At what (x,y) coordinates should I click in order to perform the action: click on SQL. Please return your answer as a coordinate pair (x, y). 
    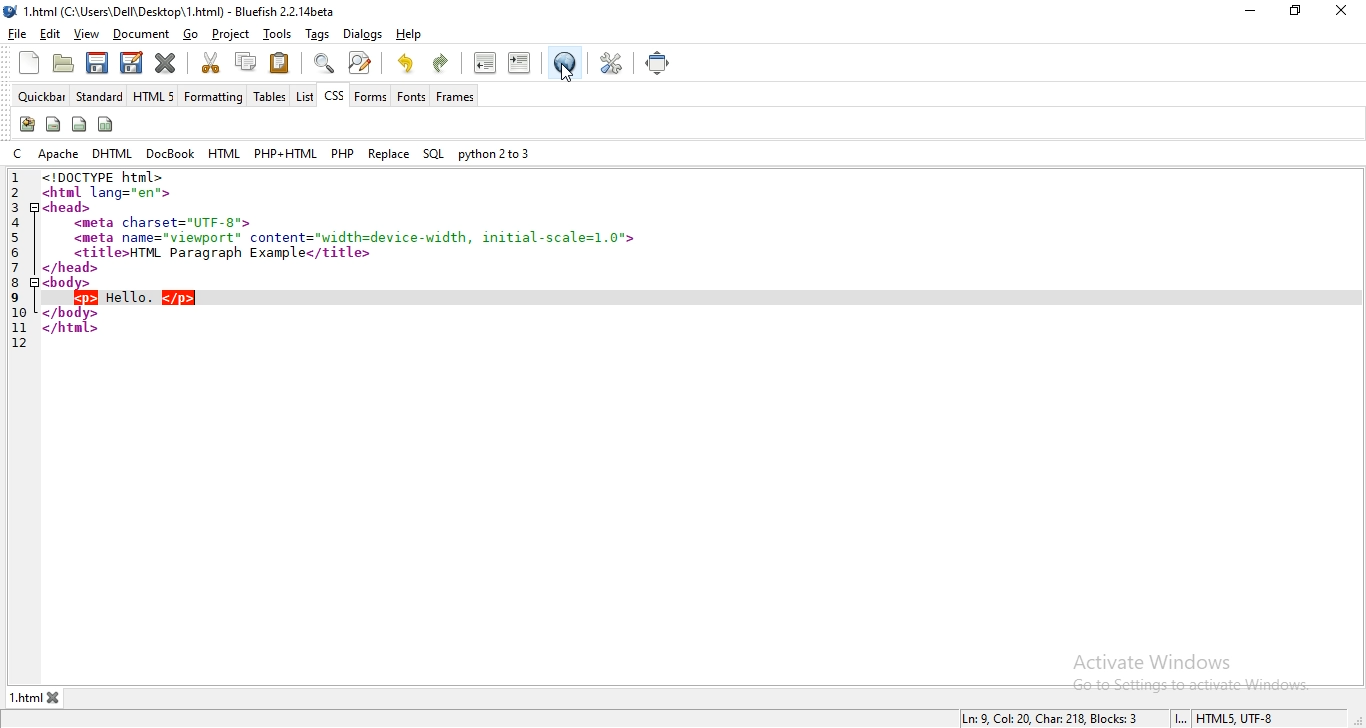
    Looking at the image, I should click on (434, 154).